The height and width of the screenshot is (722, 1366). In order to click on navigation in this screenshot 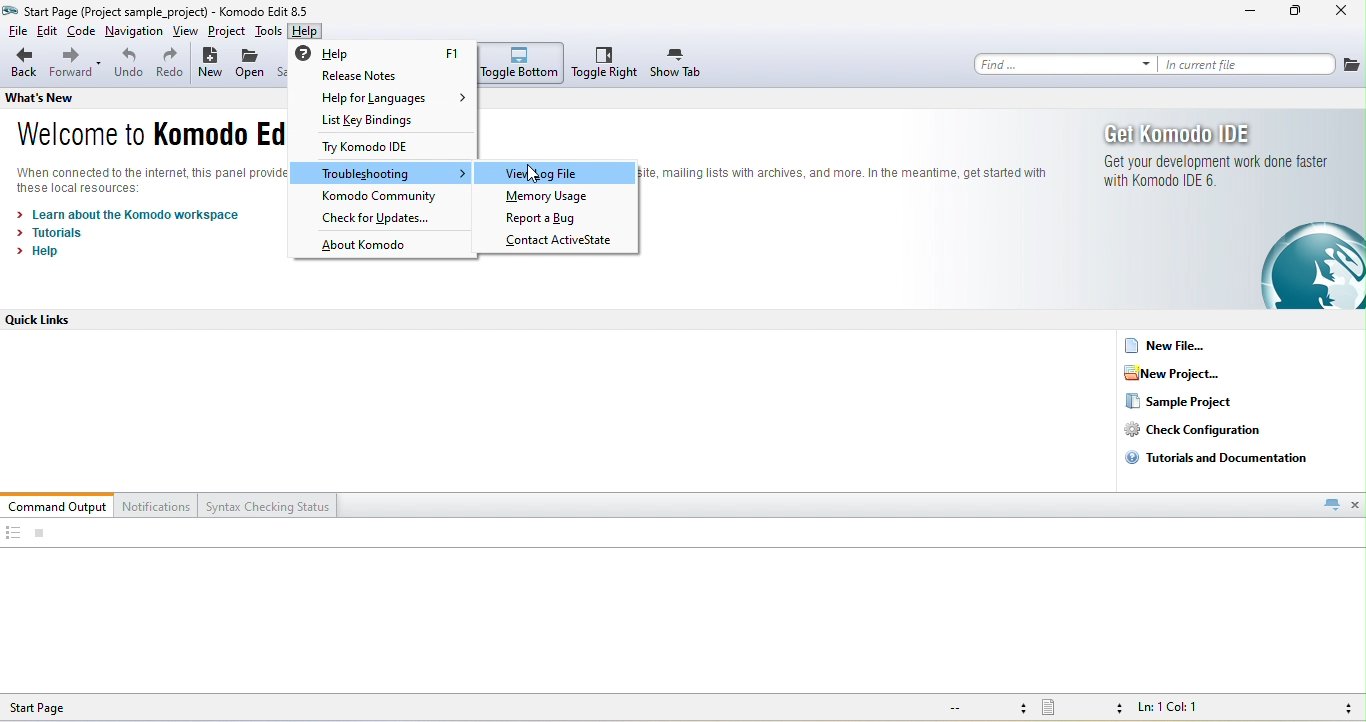, I will do `click(135, 33)`.